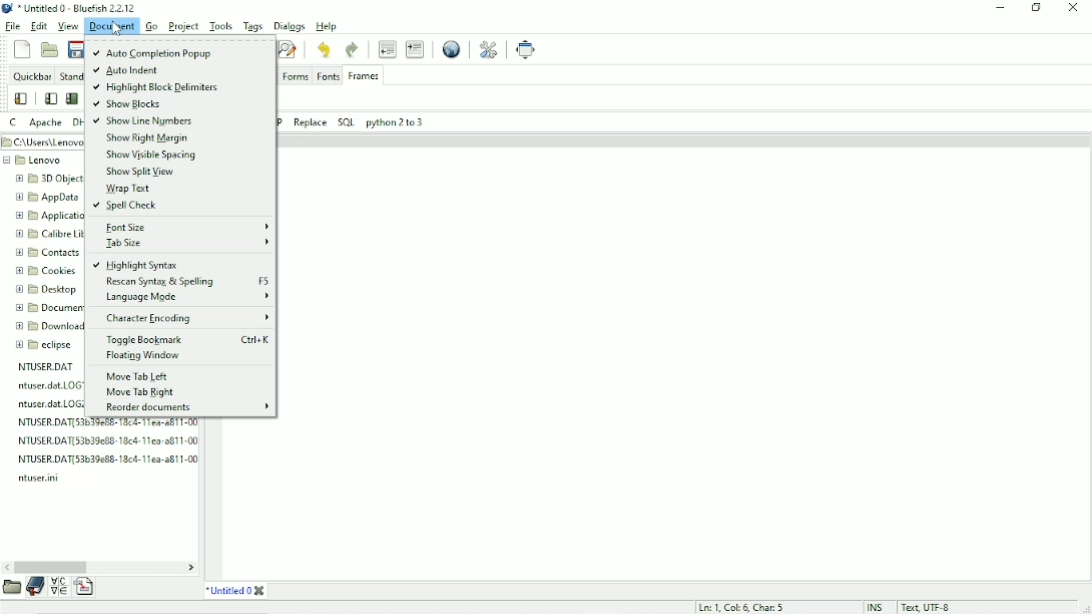 This screenshot has height=614, width=1092. I want to click on Tags, so click(248, 25).